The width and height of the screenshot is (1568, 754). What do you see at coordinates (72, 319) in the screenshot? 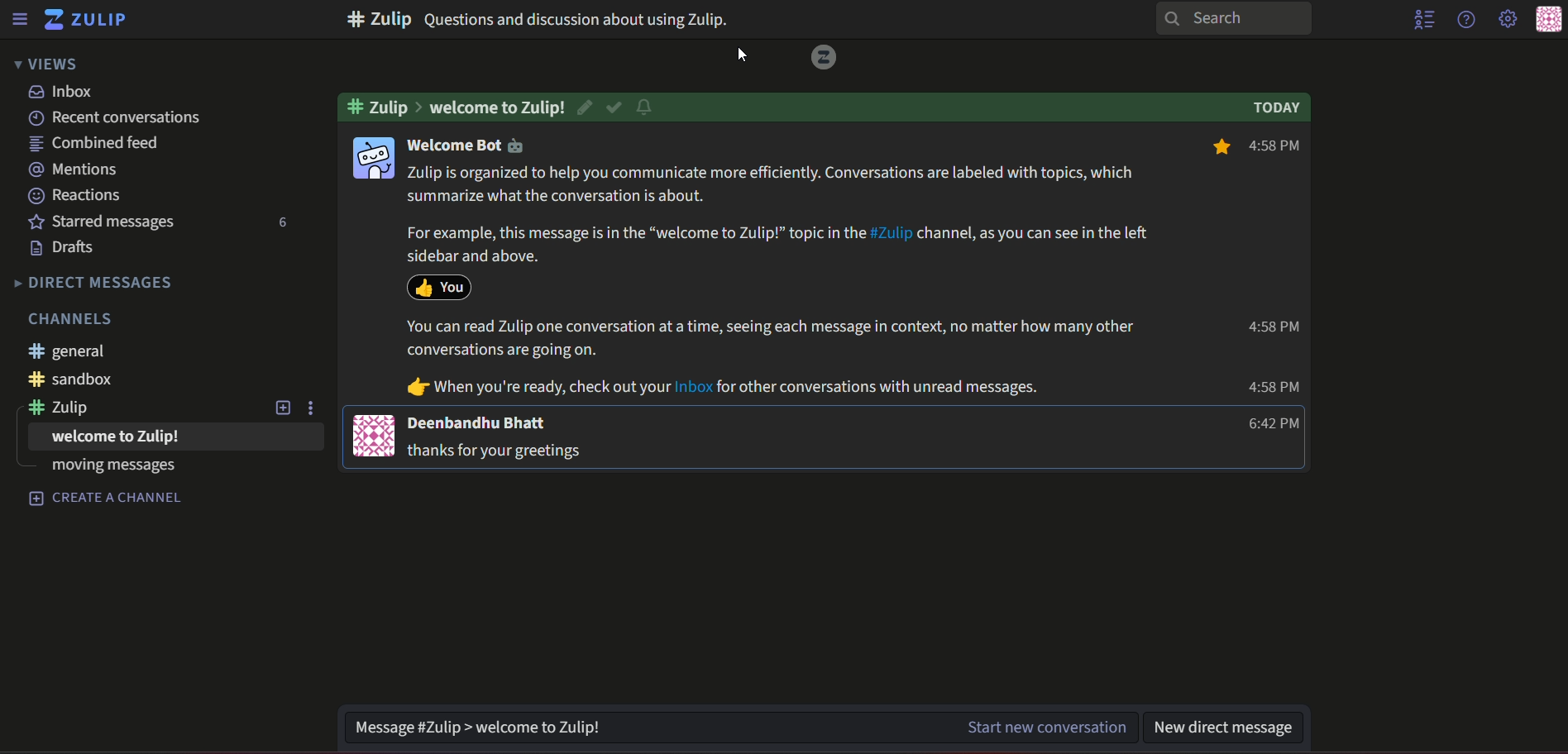
I see `Channels` at bounding box center [72, 319].